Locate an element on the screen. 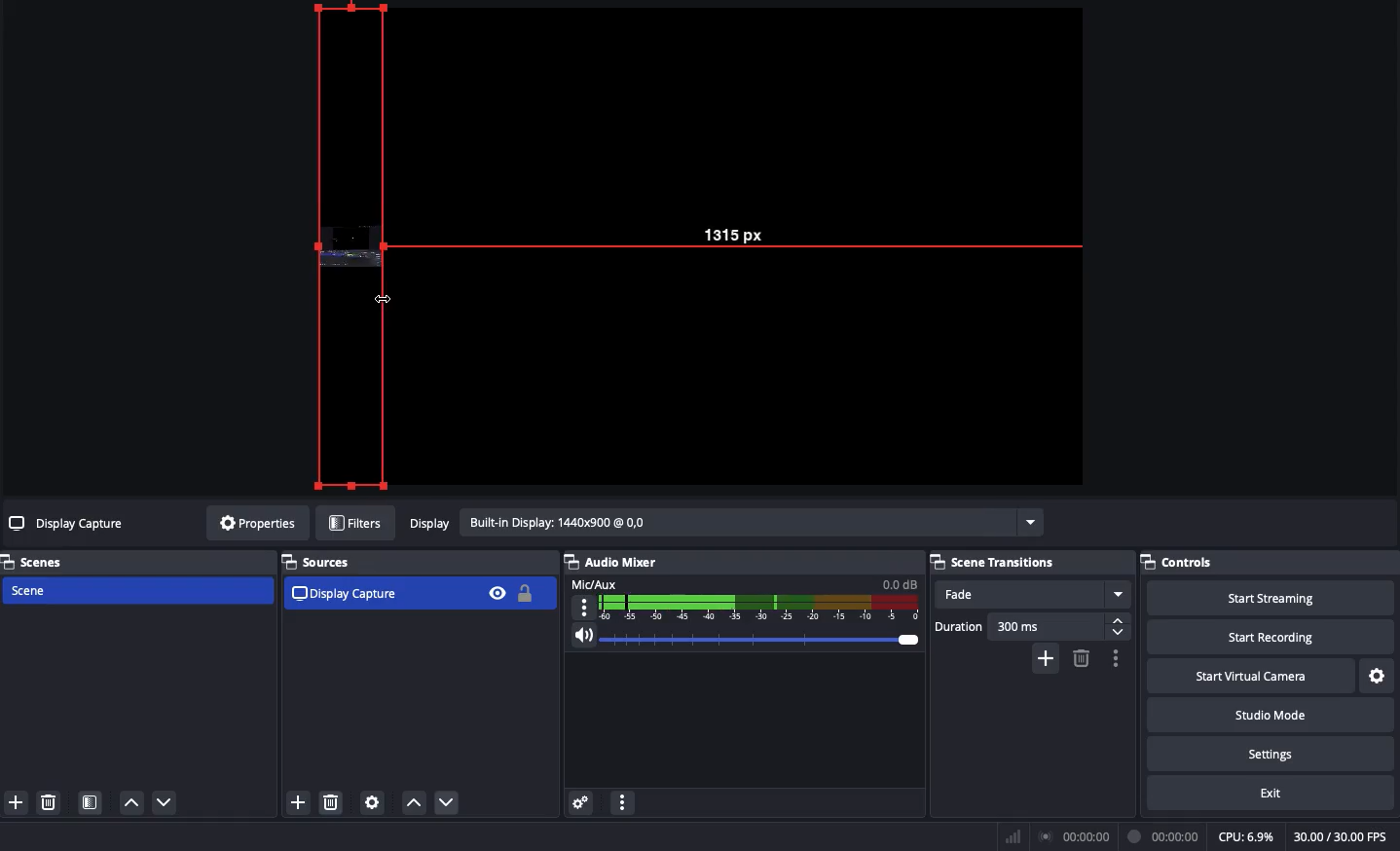 The width and height of the screenshot is (1400, 851). Scene filter is located at coordinates (91, 804).